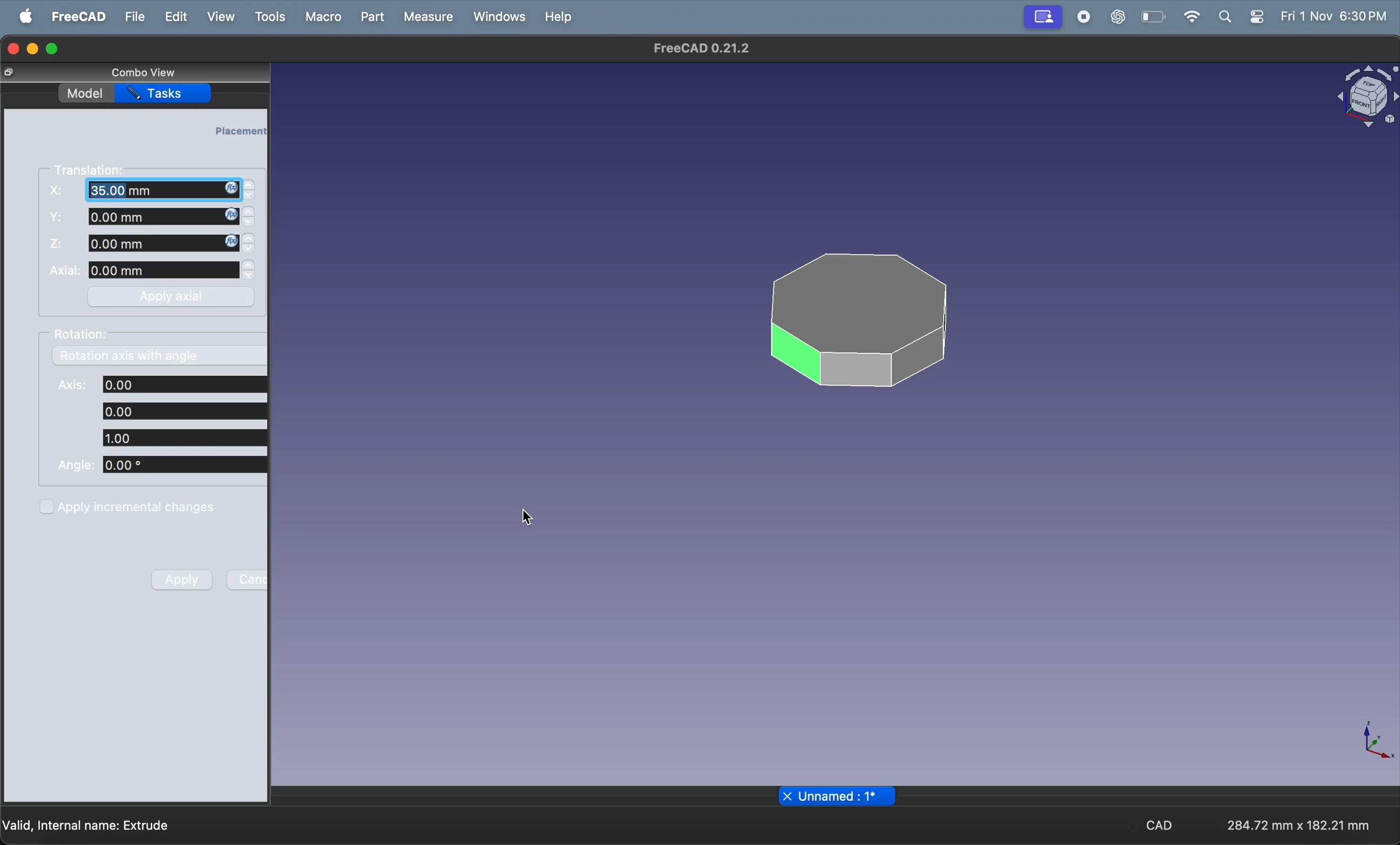 The image size is (1400, 845). I want to click on tasks, so click(168, 94).